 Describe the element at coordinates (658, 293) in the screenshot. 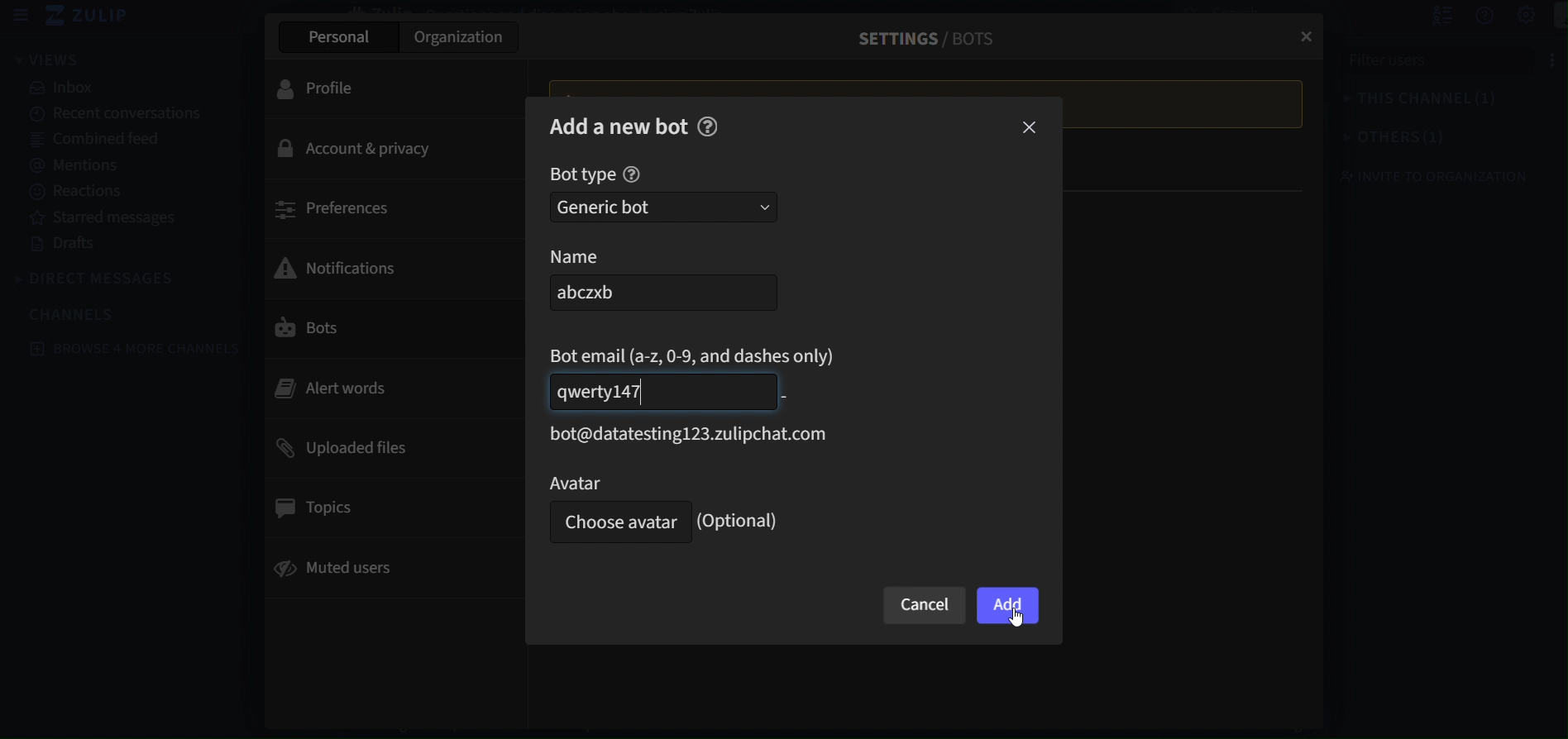

I see `abczxb` at that location.